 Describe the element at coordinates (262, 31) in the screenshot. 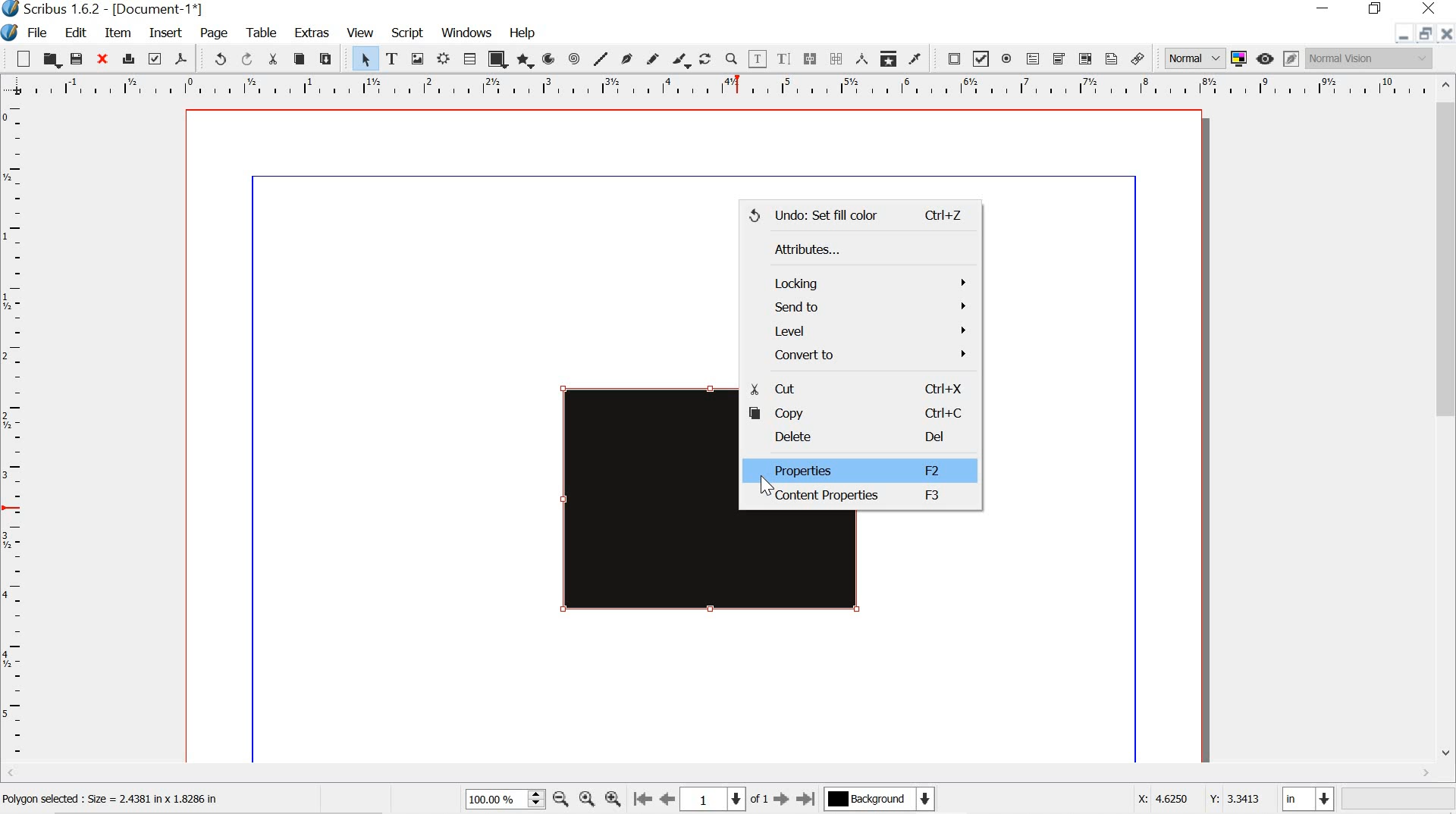

I see `tools` at that location.